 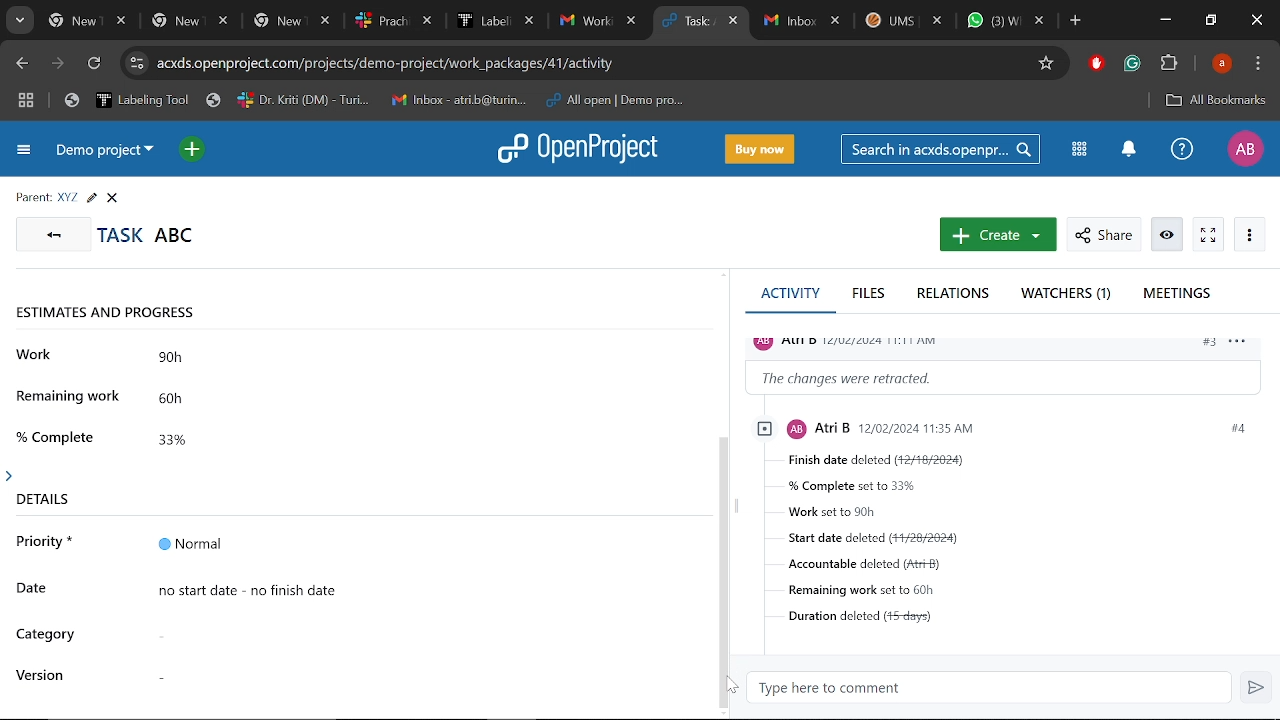 I want to click on cursor, so click(x=723, y=687).